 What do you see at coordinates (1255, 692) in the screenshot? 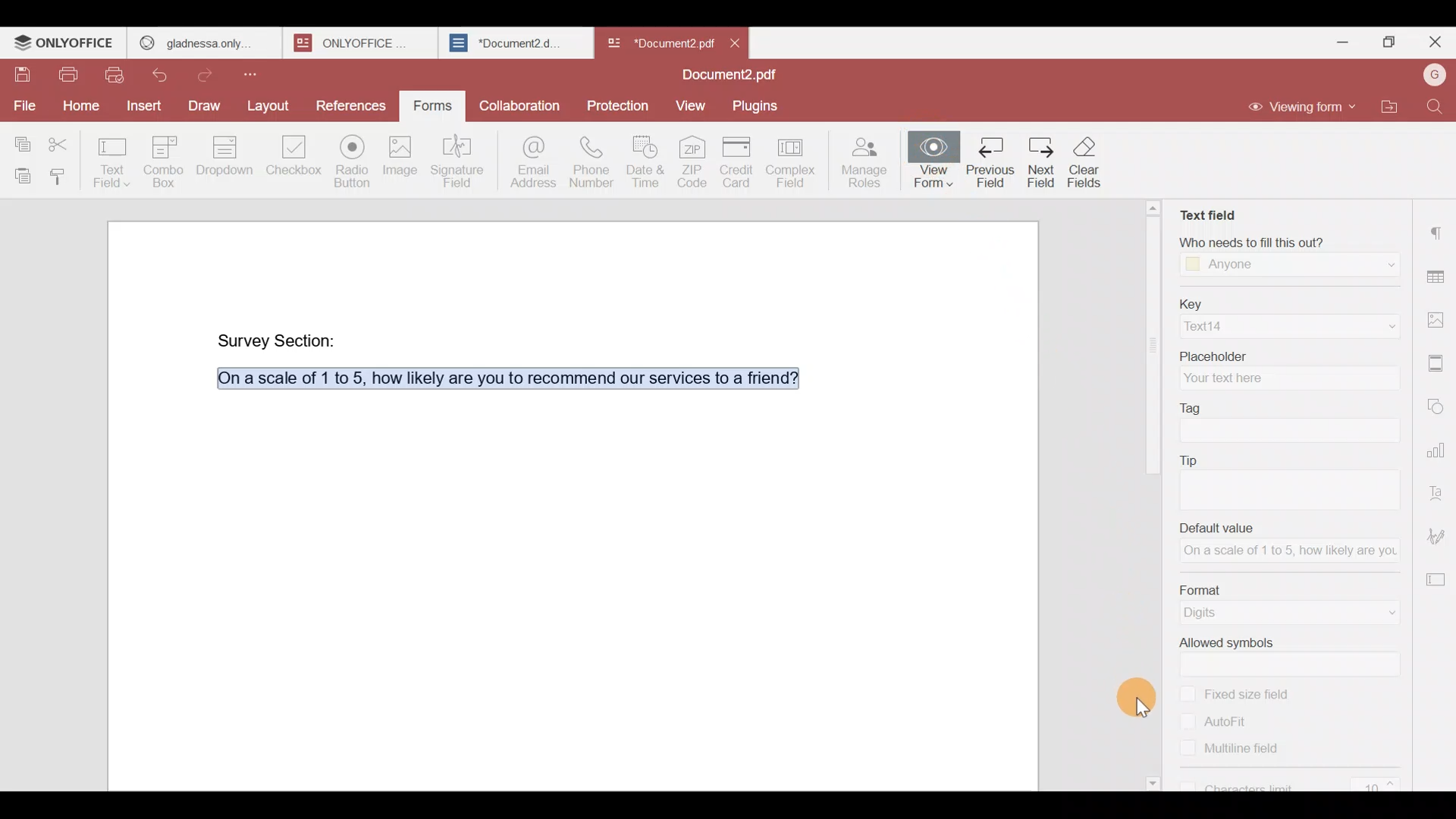
I see `Fixed size field` at bounding box center [1255, 692].